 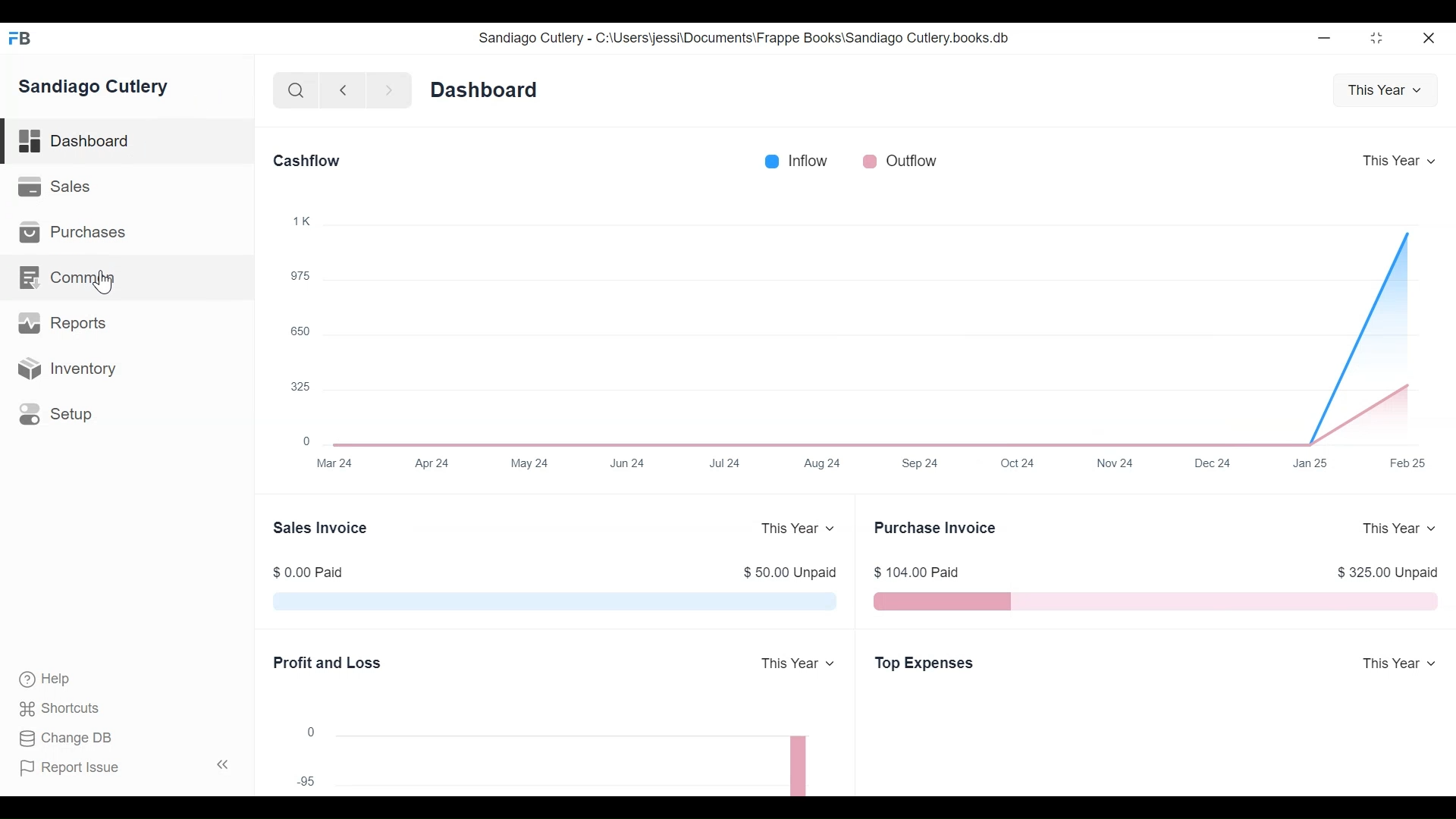 What do you see at coordinates (310, 731) in the screenshot?
I see `0` at bounding box center [310, 731].